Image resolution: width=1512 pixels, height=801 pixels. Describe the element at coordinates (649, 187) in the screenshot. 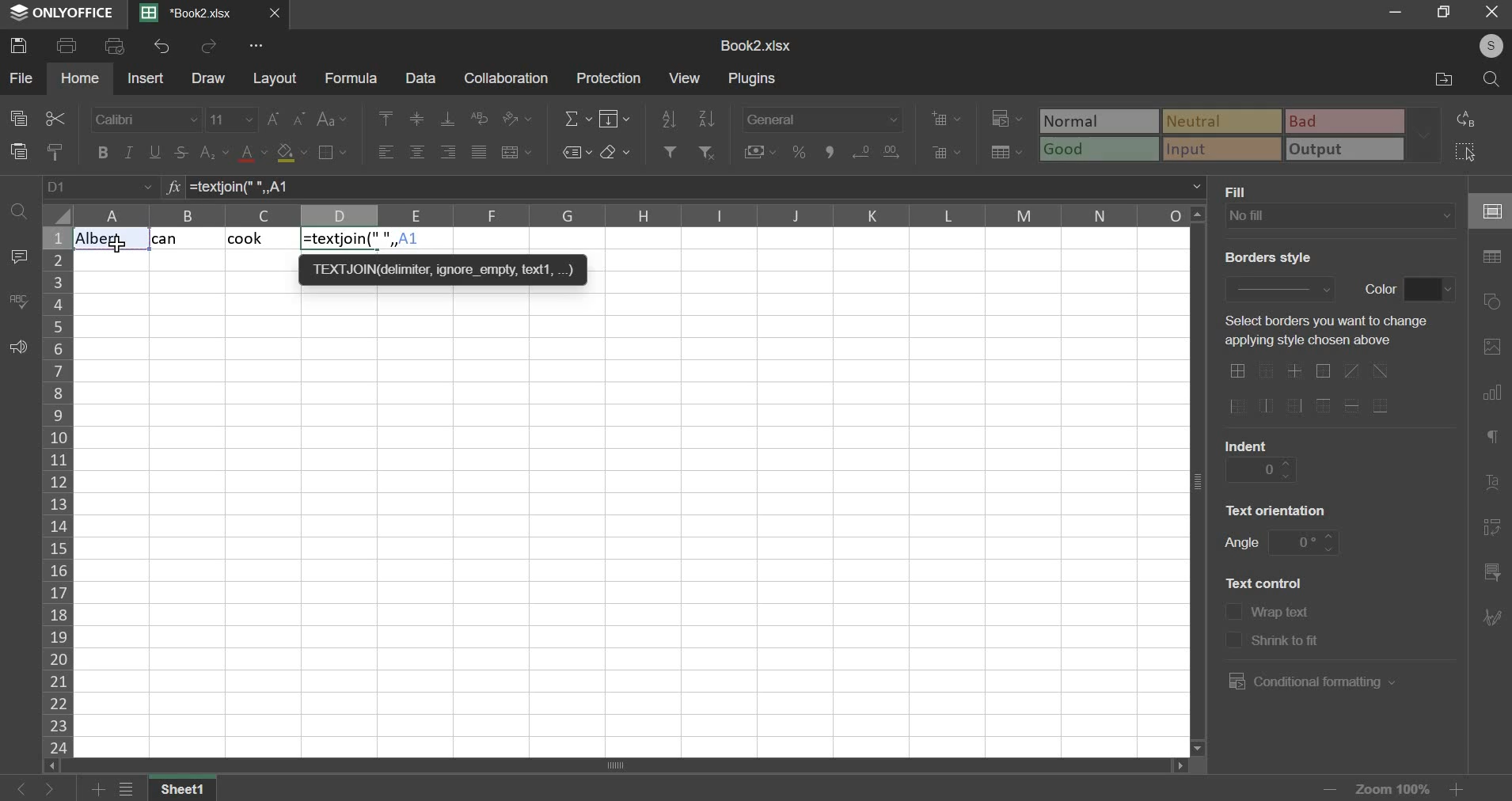

I see `=textjoin(" ", A1` at that location.